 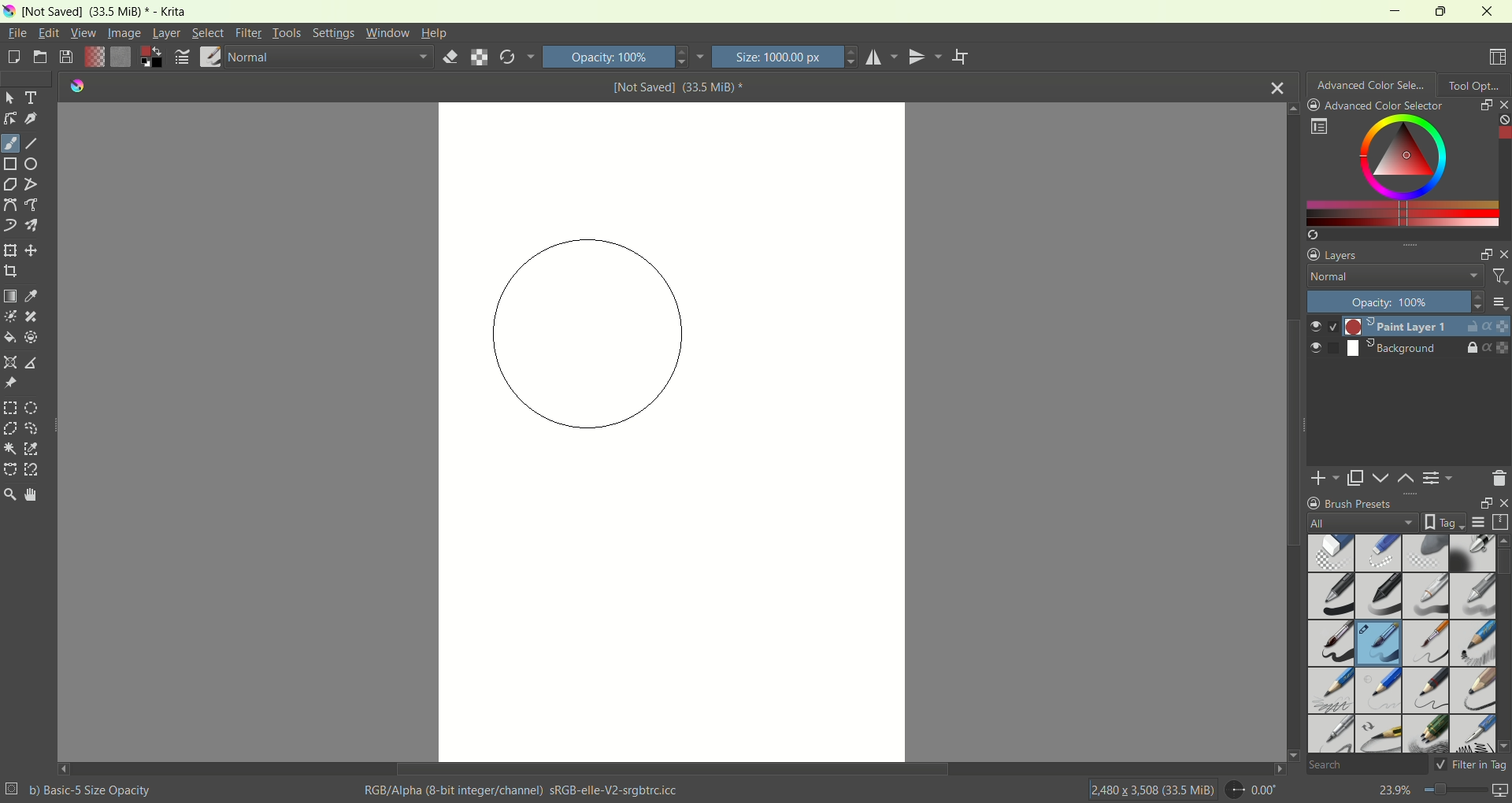 I want to click on zoom, so click(x=9, y=494).